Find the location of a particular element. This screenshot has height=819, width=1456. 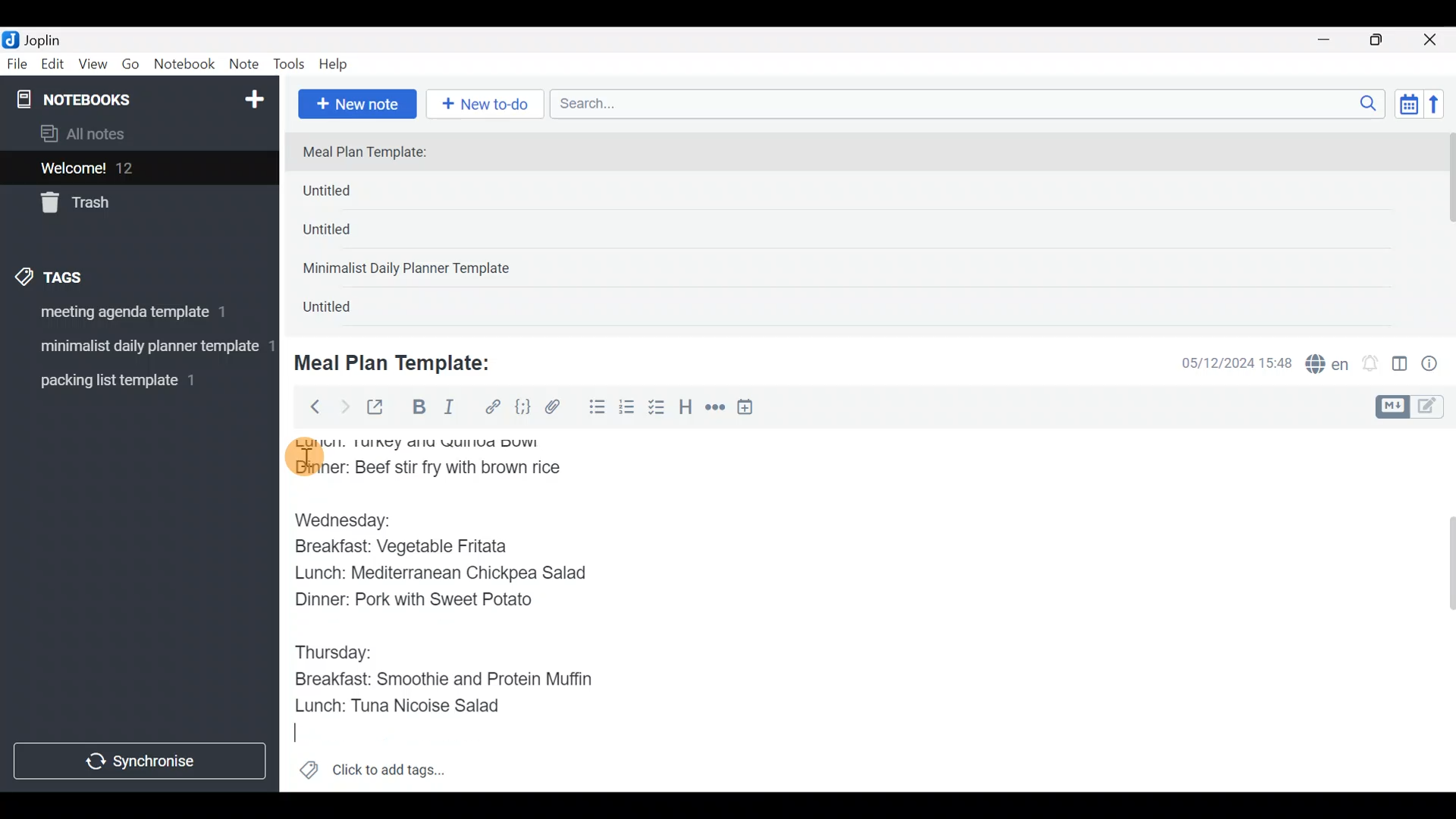

Checkbox is located at coordinates (658, 409).